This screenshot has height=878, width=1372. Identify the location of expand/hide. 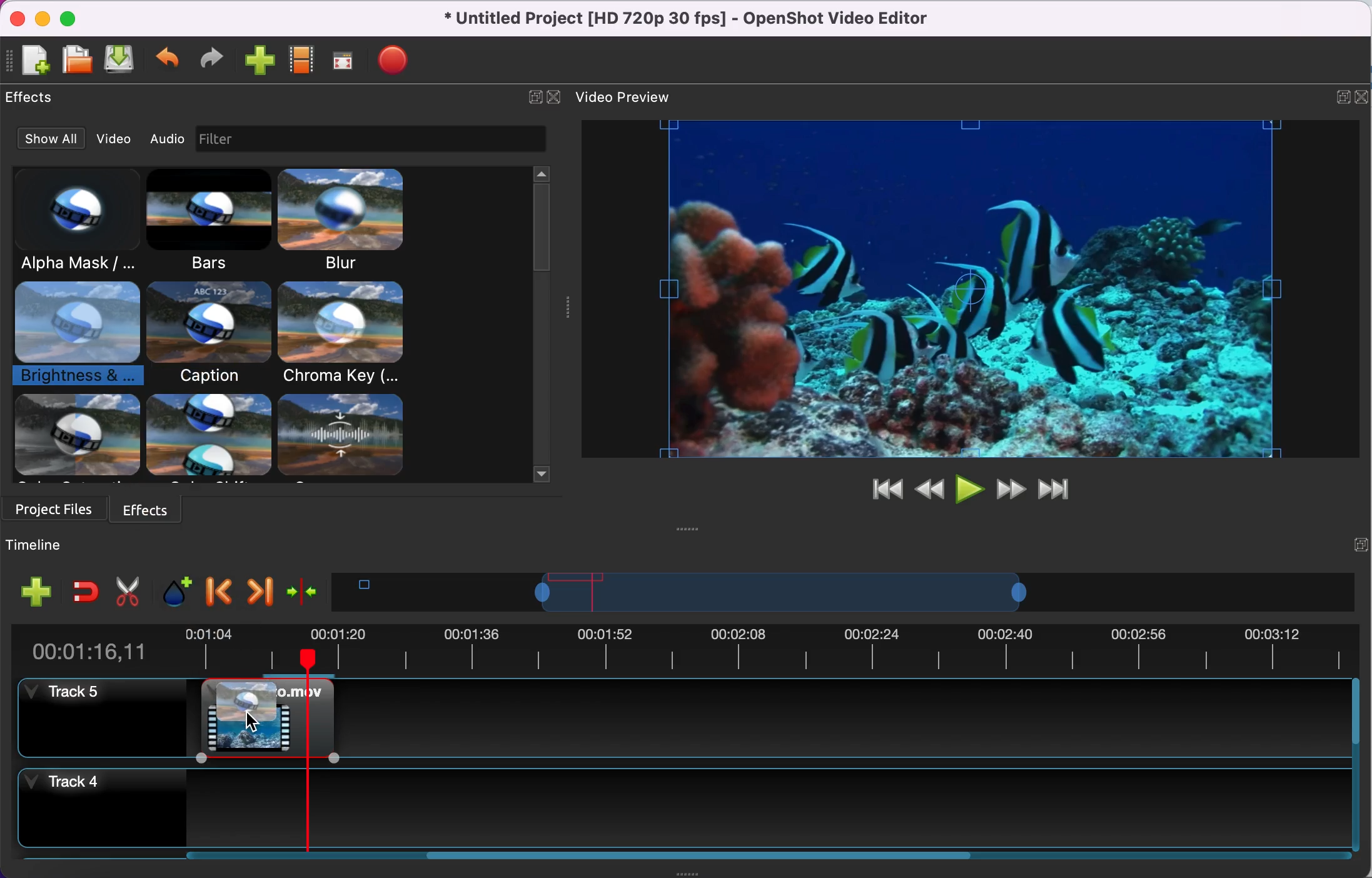
(1340, 96).